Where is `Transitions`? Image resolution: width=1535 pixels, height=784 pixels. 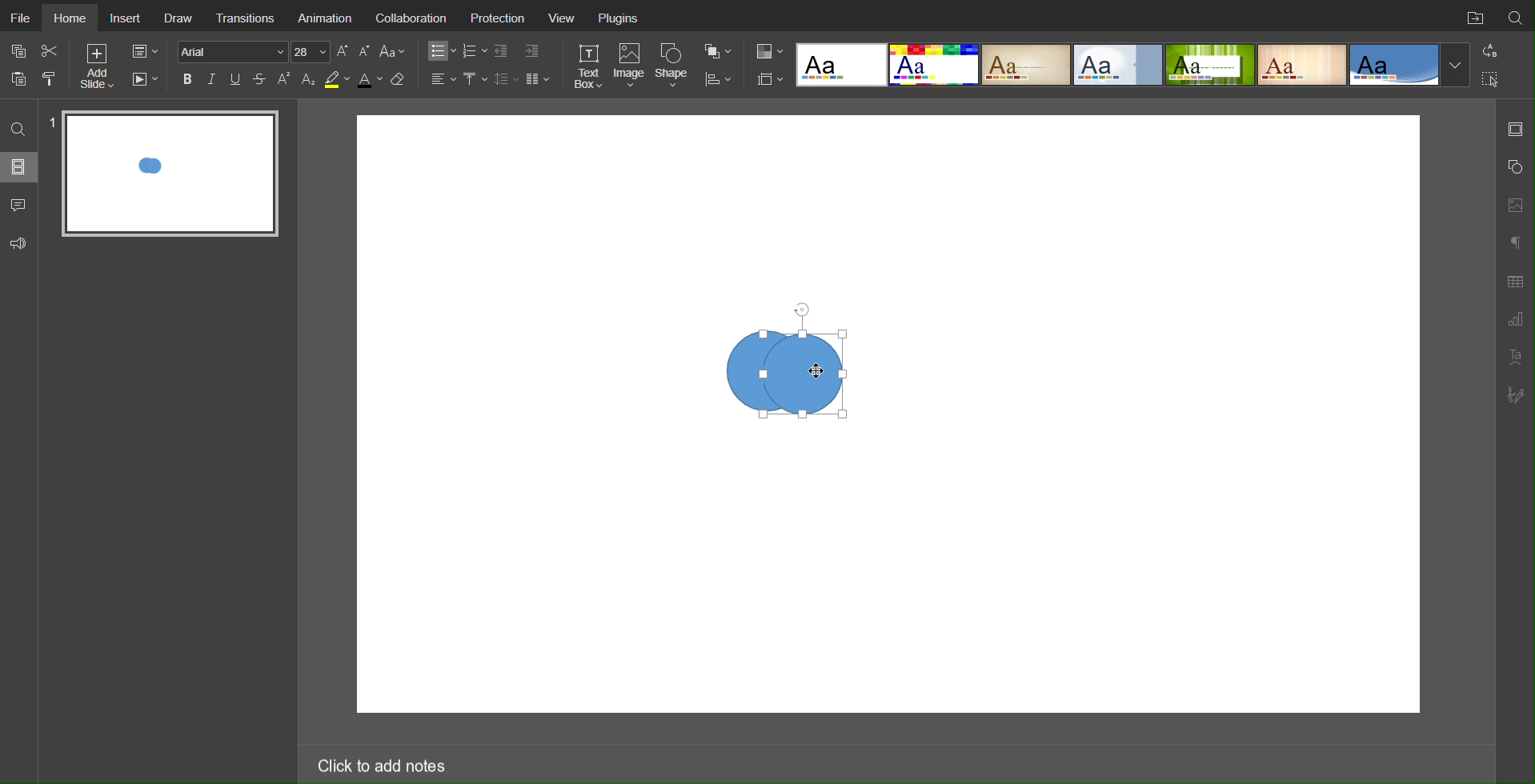 Transitions is located at coordinates (248, 16).